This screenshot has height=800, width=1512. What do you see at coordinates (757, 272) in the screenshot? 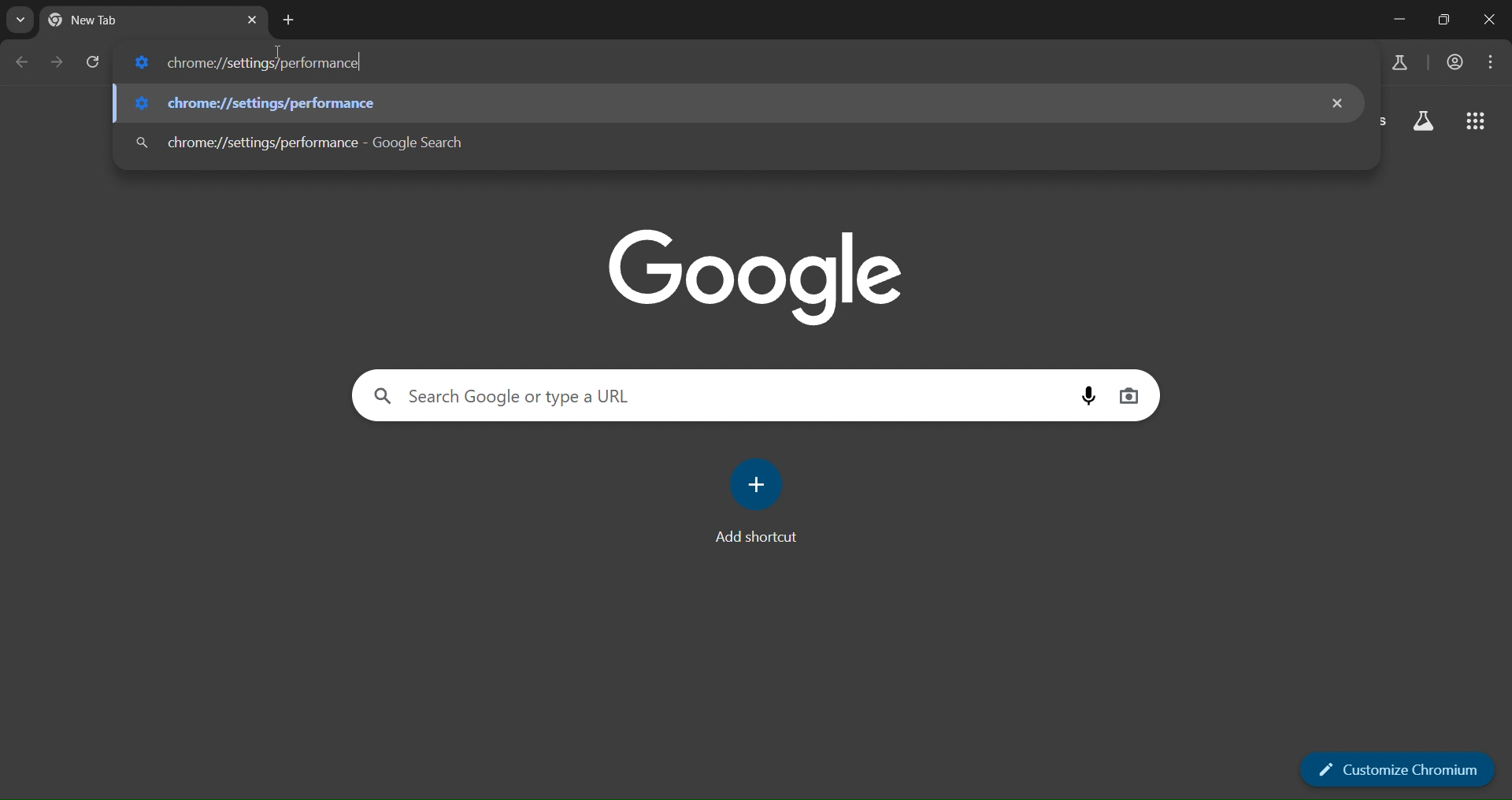
I see `image ` at bounding box center [757, 272].